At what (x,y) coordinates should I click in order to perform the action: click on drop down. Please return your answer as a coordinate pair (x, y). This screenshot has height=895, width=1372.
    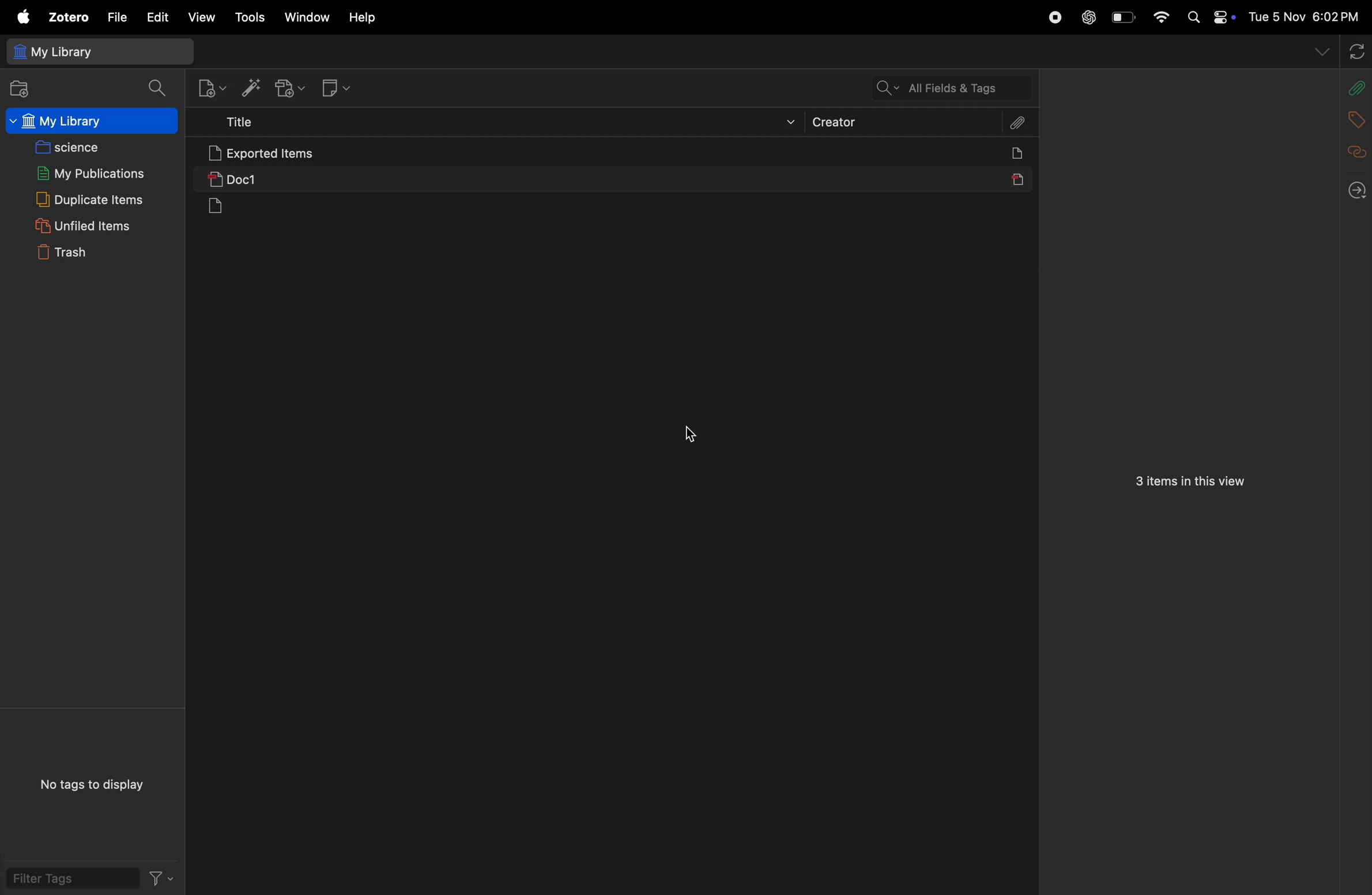
    Looking at the image, I should click on (1319, 51).